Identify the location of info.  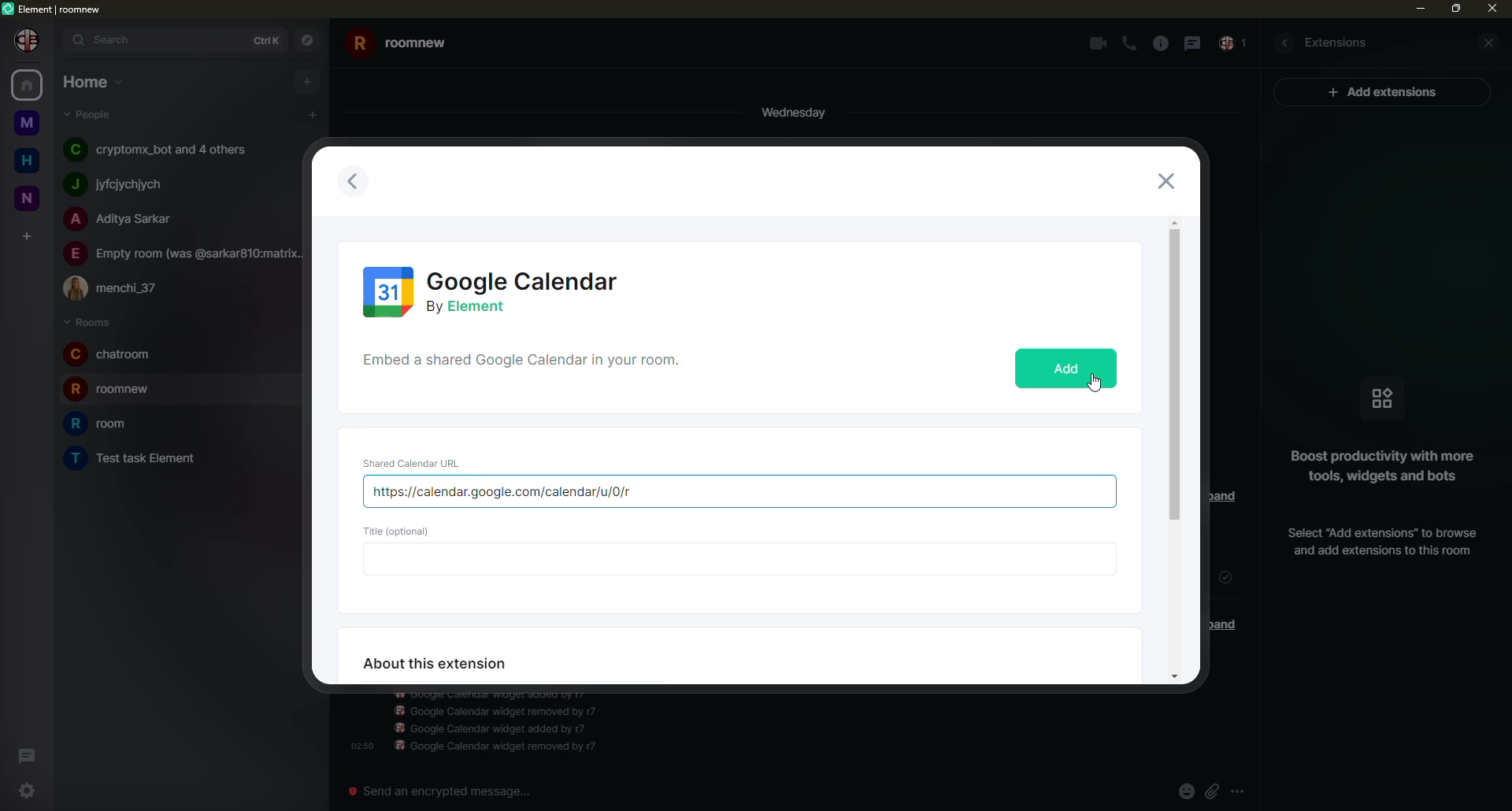
(1162, 44).